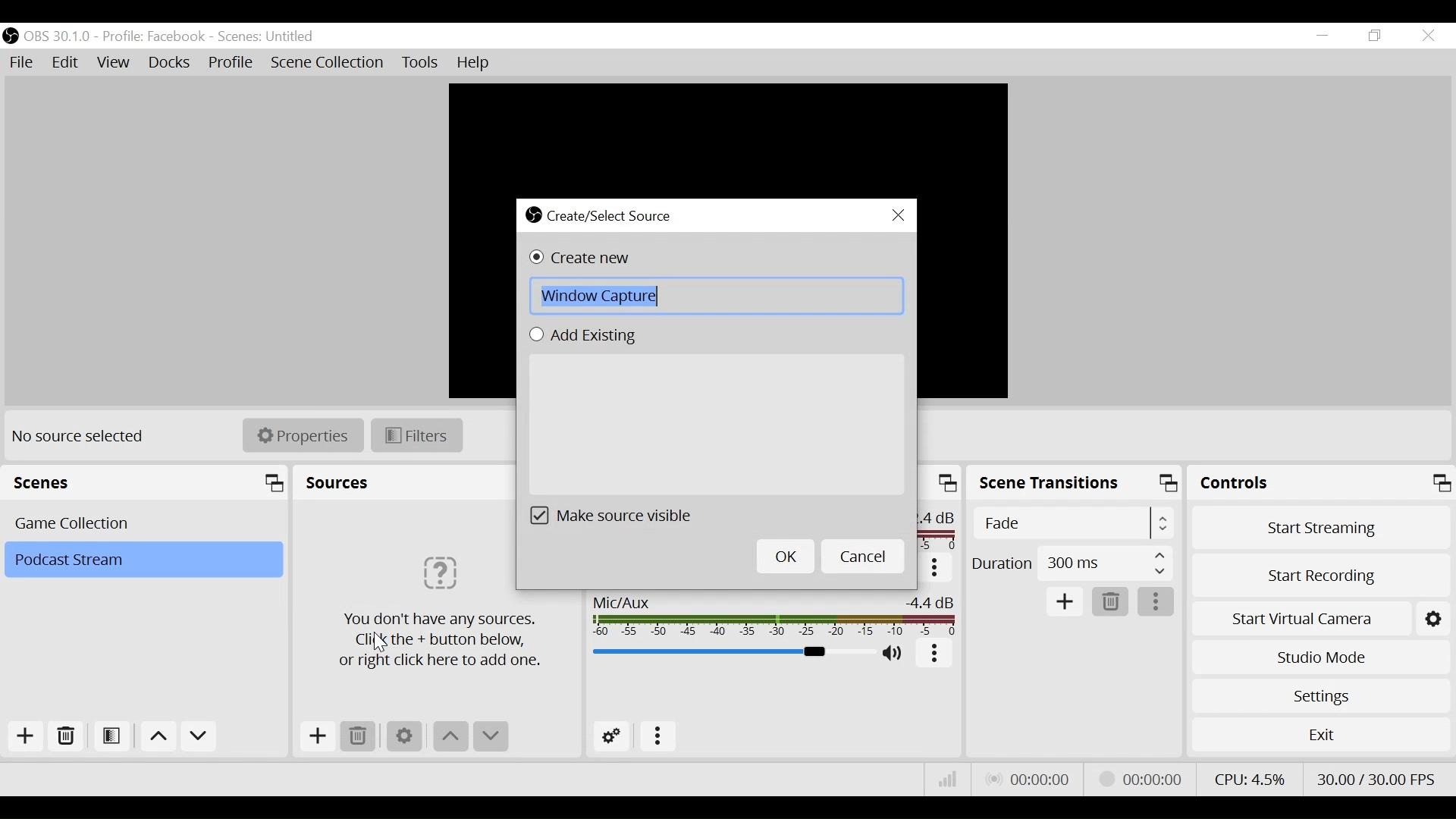 The height and width of the screenshot is (819, 1456). I want to click on OK, so click(785, 556).